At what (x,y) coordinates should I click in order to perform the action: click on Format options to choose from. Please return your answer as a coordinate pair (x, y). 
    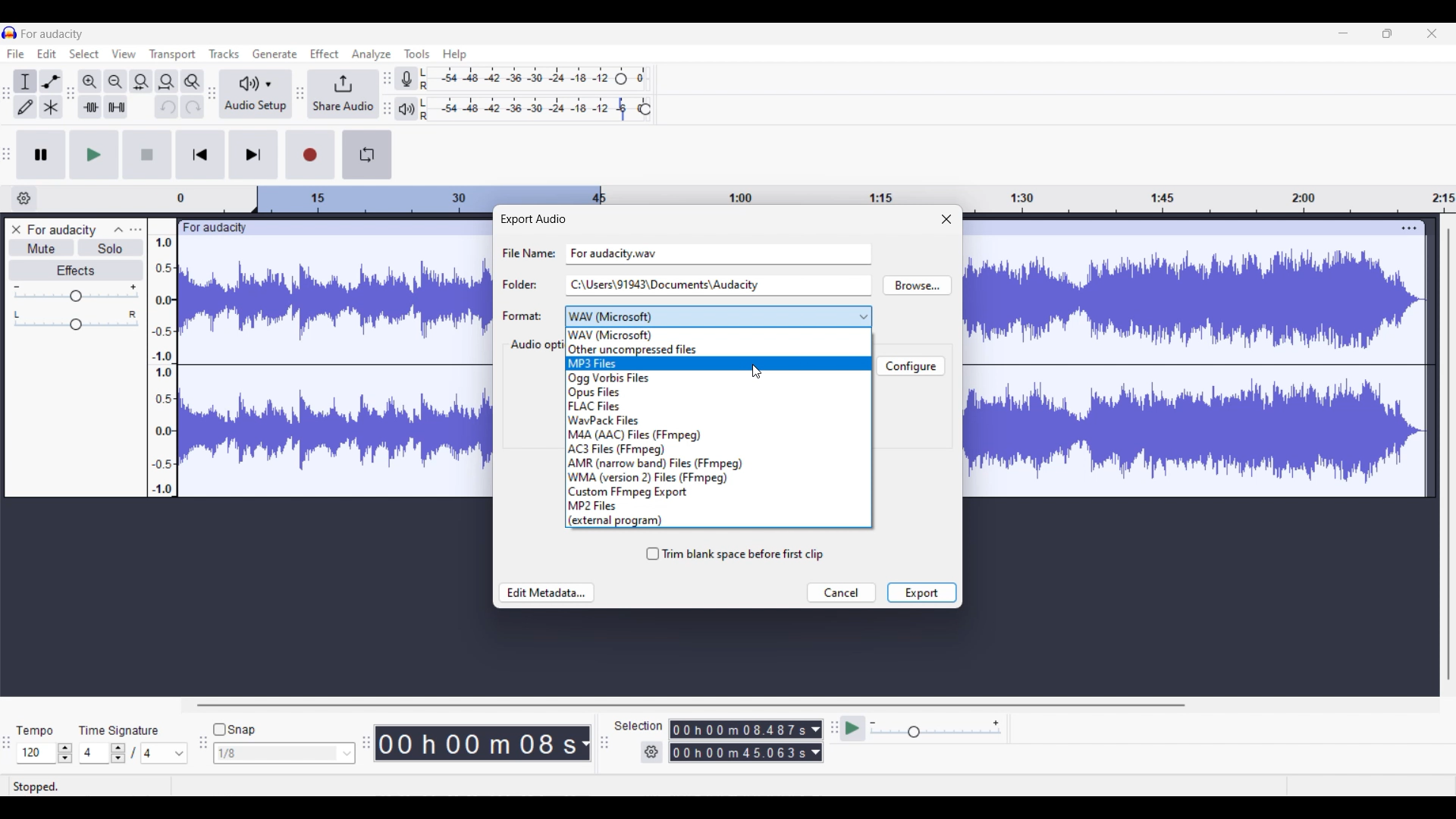
    Looking at the image, I should click on (719, 317).